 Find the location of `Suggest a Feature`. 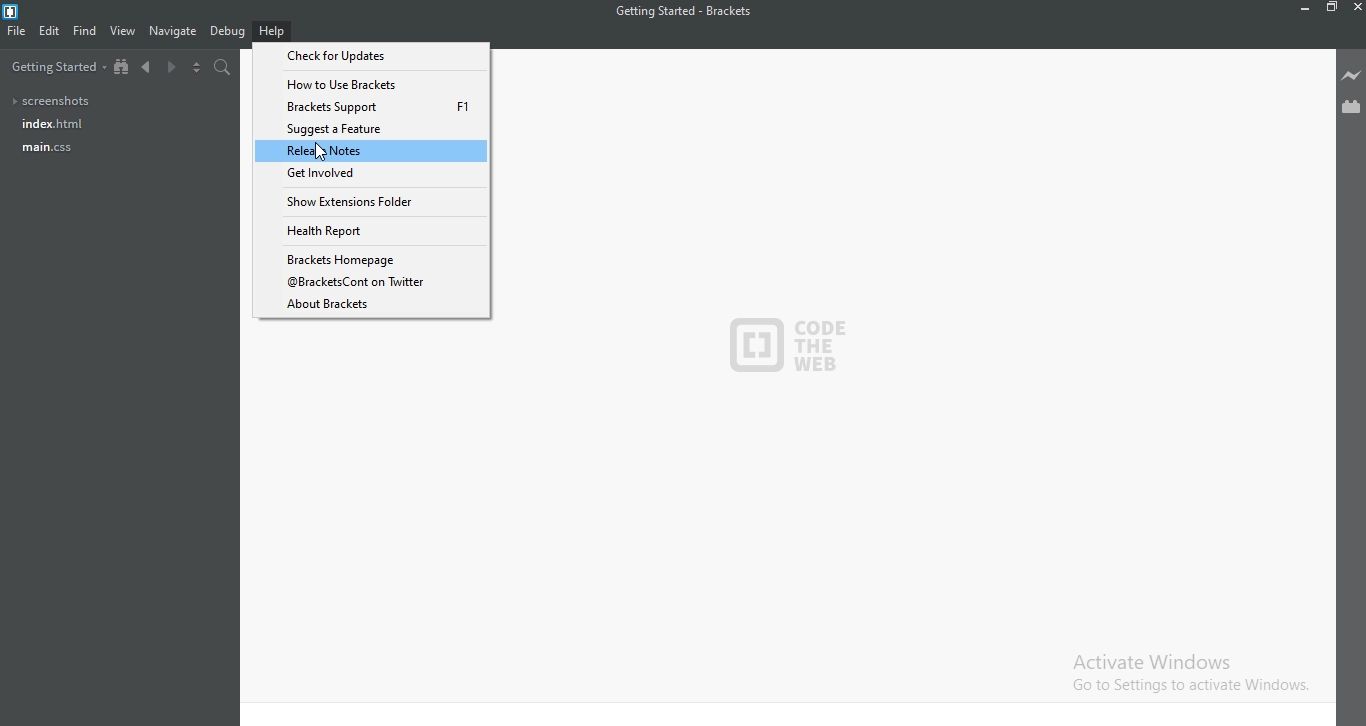

Suggest a Feature is located at coordinates (369, 128).